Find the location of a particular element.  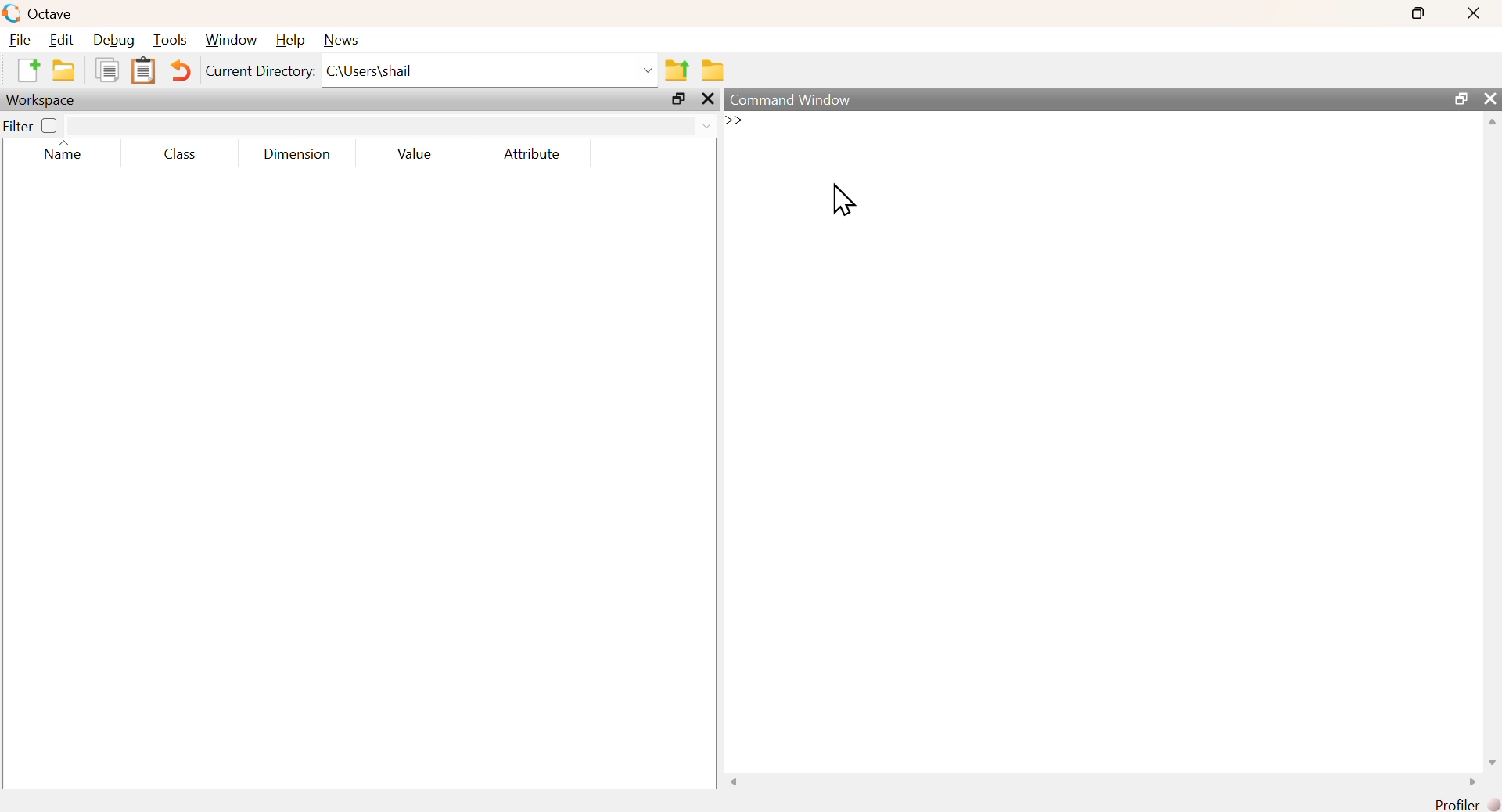

cursor is located at coordinates (843, 202).